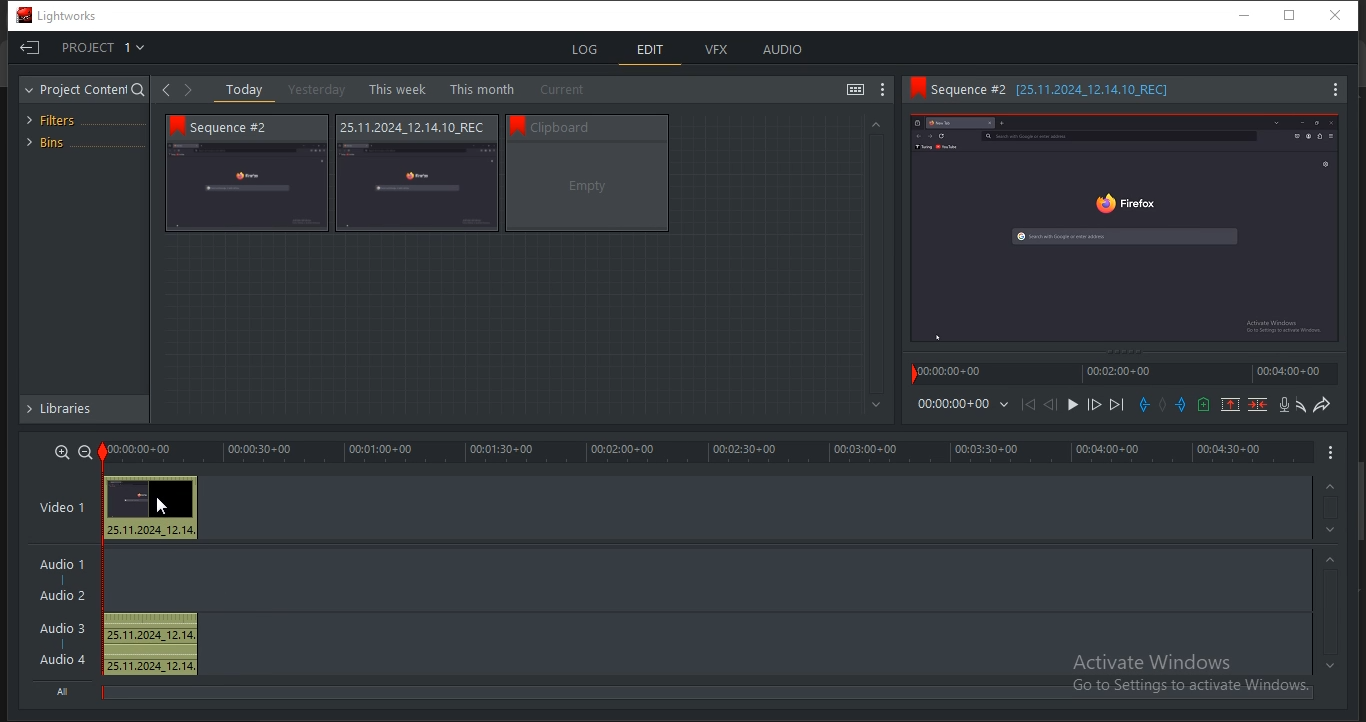  I want to click on remove a marked section, so click(1231, 405).